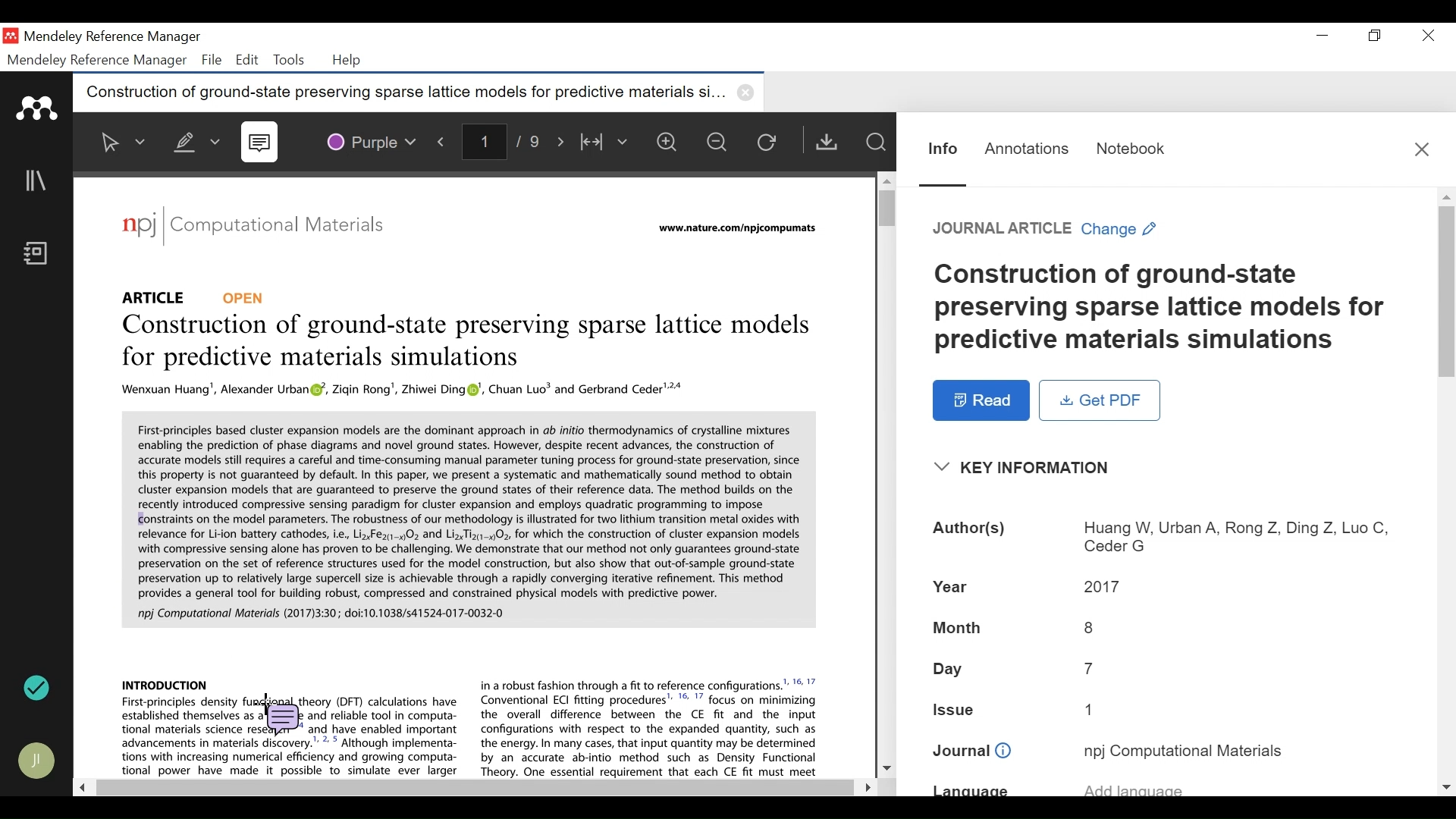 The width and height of the screenshot is (1456, 819). Describe the element at coordinates (97, 61) in the screenshot. I see `Mendeley Reference Manager` at that location.